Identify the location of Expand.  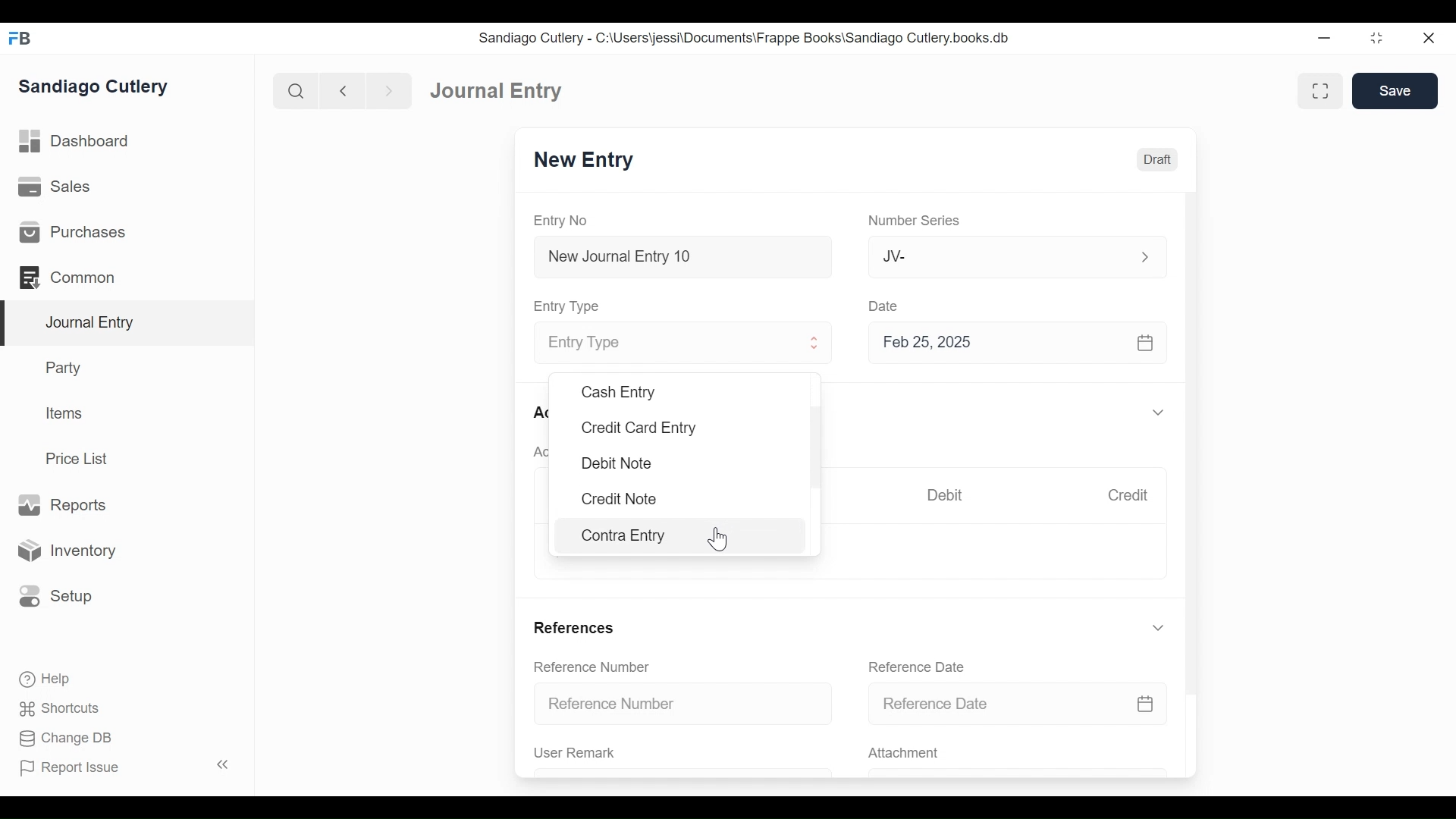
(1158, 413).